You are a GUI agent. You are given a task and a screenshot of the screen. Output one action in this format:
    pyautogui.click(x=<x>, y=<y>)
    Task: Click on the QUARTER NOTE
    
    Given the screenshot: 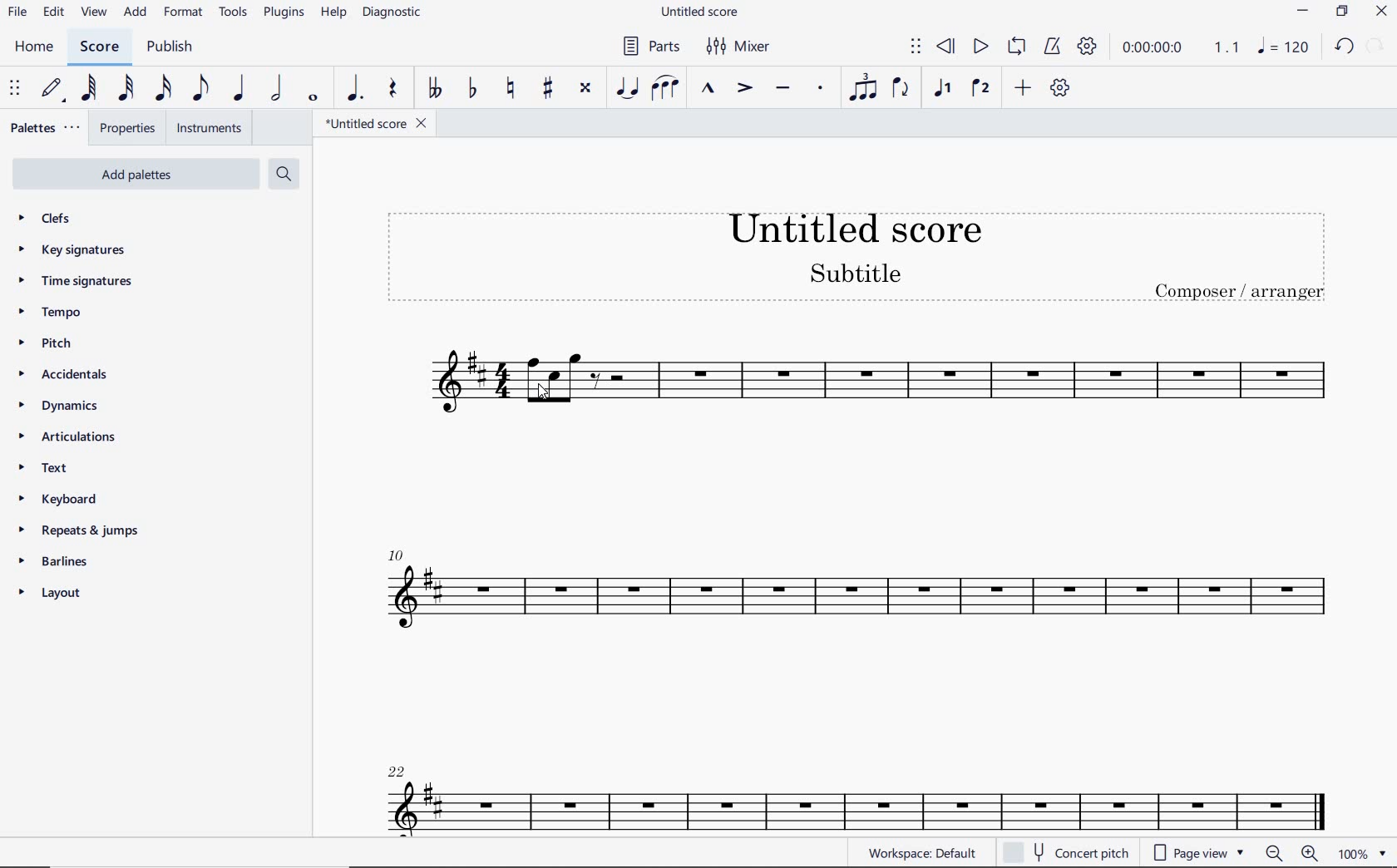 What is the action you would take?
    pyautogui.click(x=237, y=89)
    